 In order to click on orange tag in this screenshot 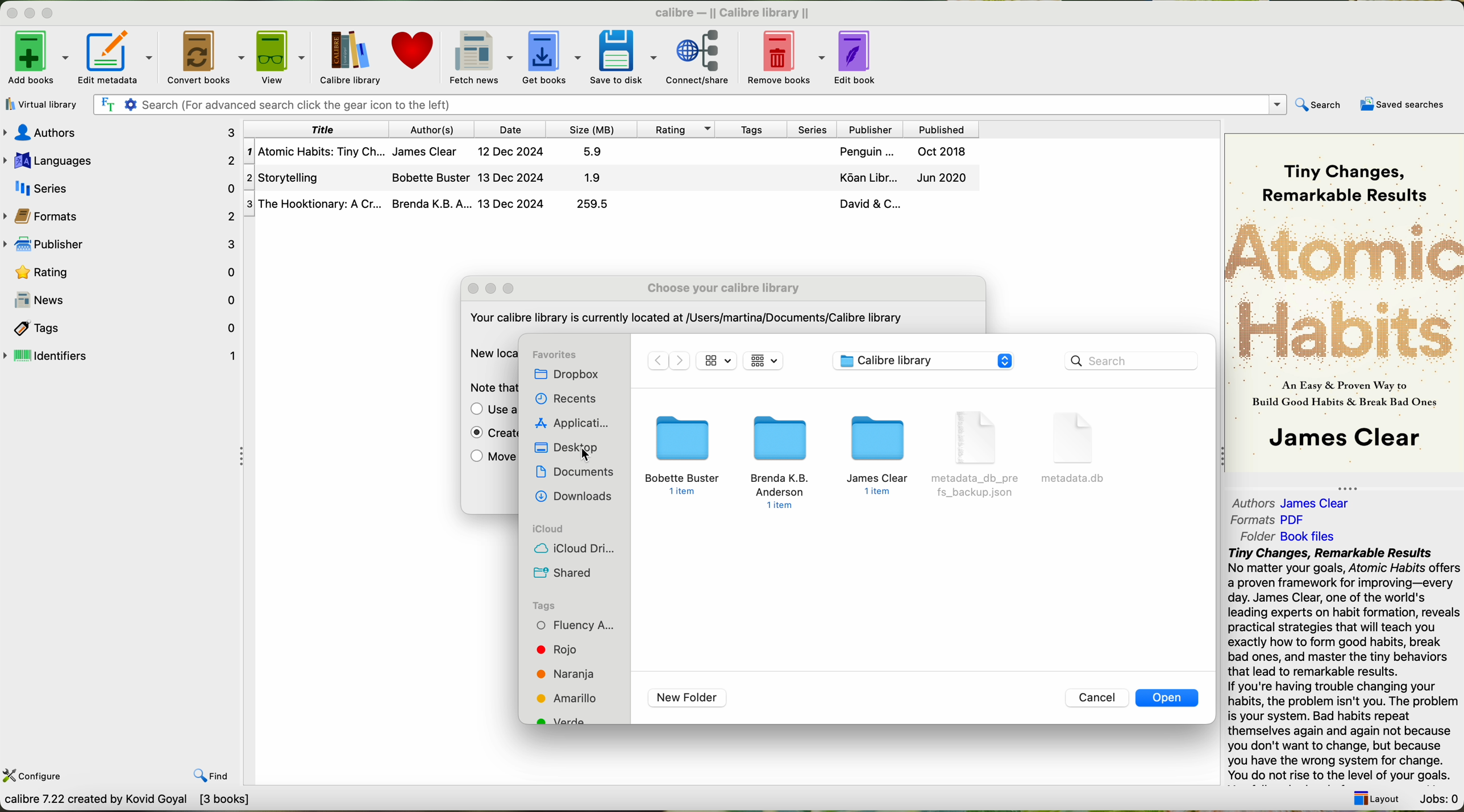, I will do `click(566, 674)`.